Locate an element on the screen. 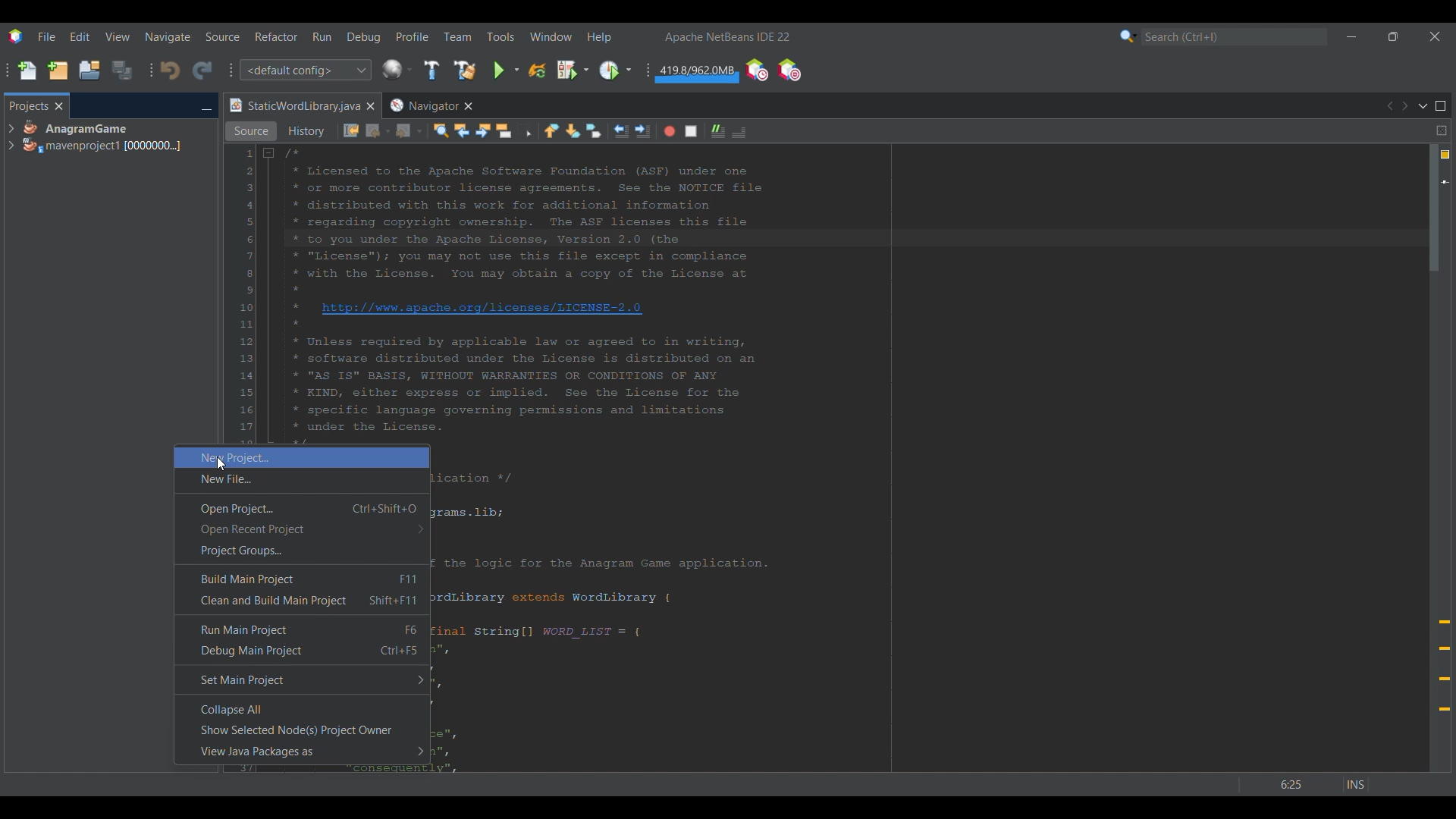 The width and height of the screenshot is (1456, 819). Projects, current tab highlighted is located at coordinates (28, 105).